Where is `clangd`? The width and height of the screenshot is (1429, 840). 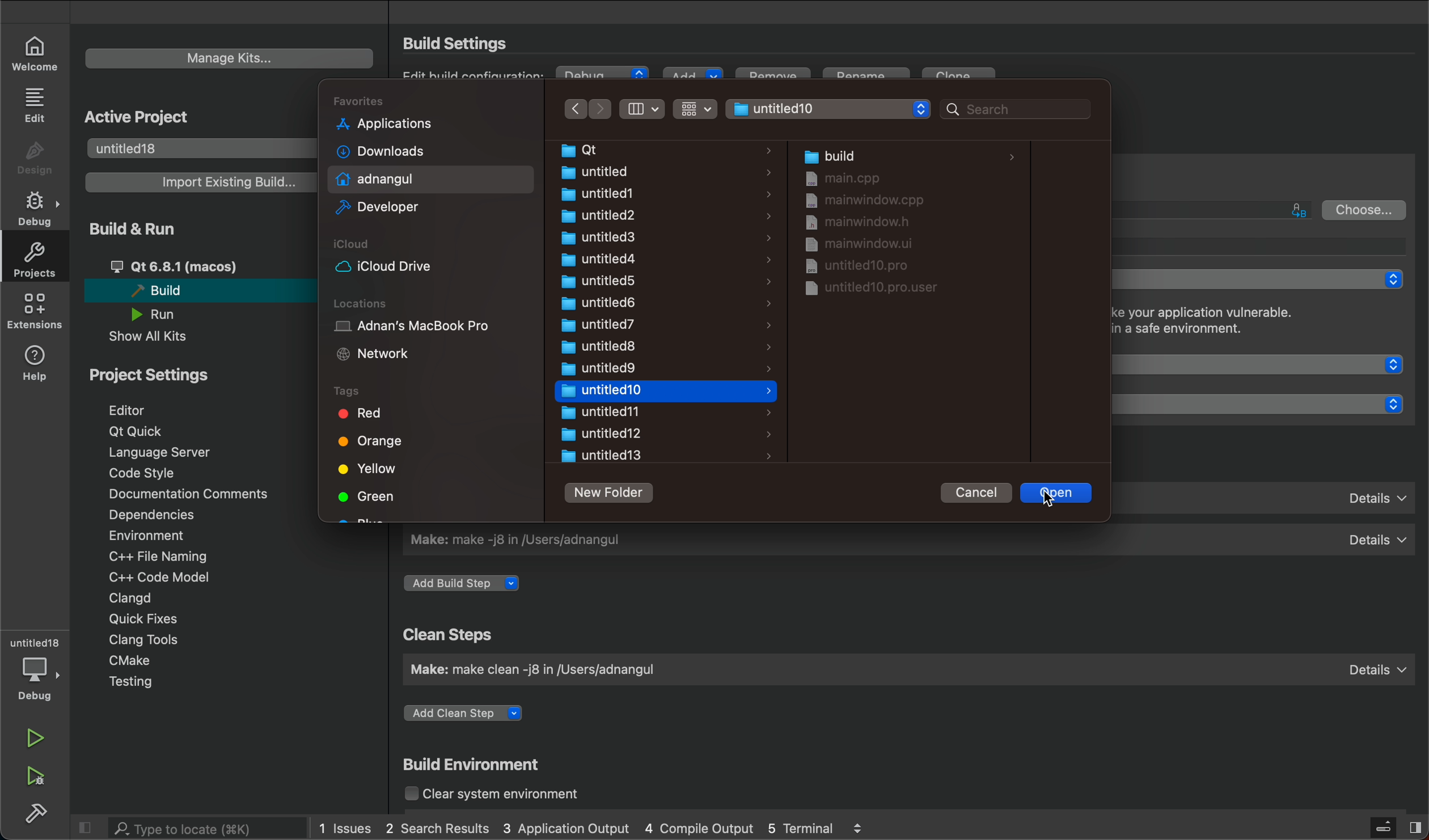
clangd is located at coordinates (132, 596).